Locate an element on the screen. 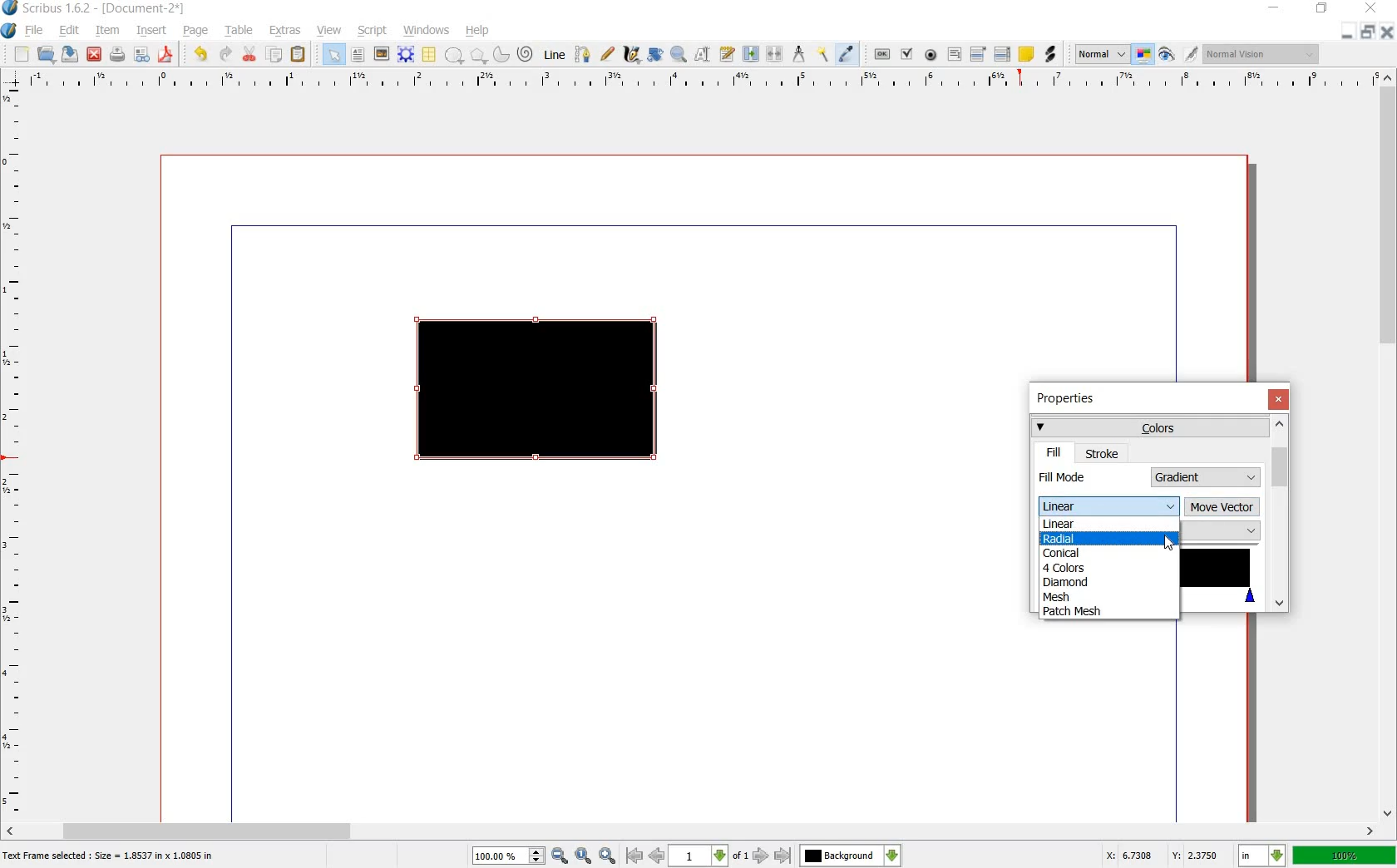 The image size is (1397, 868). windows is located at coordinates (426, 31).